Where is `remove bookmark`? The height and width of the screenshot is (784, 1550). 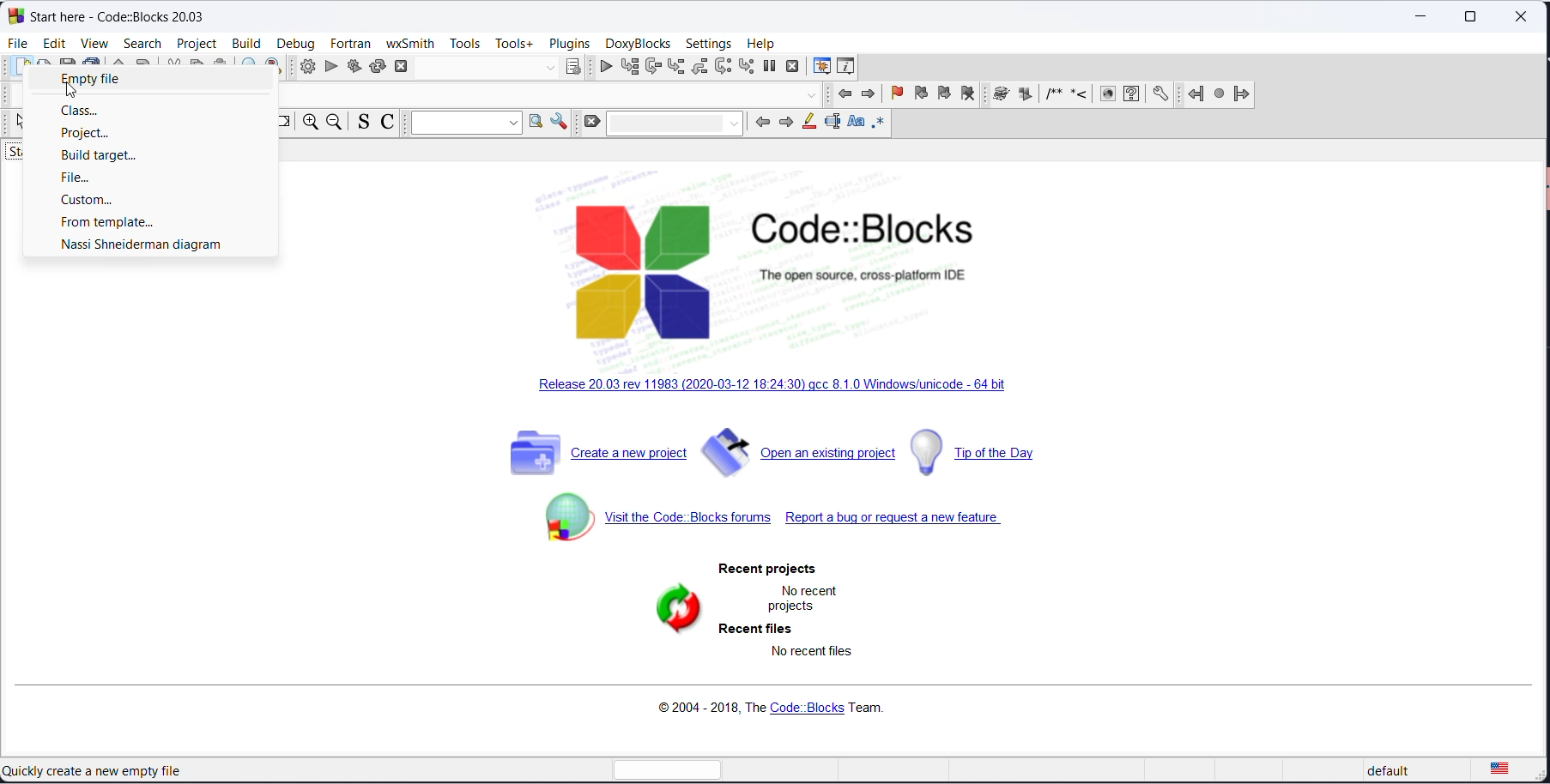 remove bookmark is located at coordinates (973, 98).